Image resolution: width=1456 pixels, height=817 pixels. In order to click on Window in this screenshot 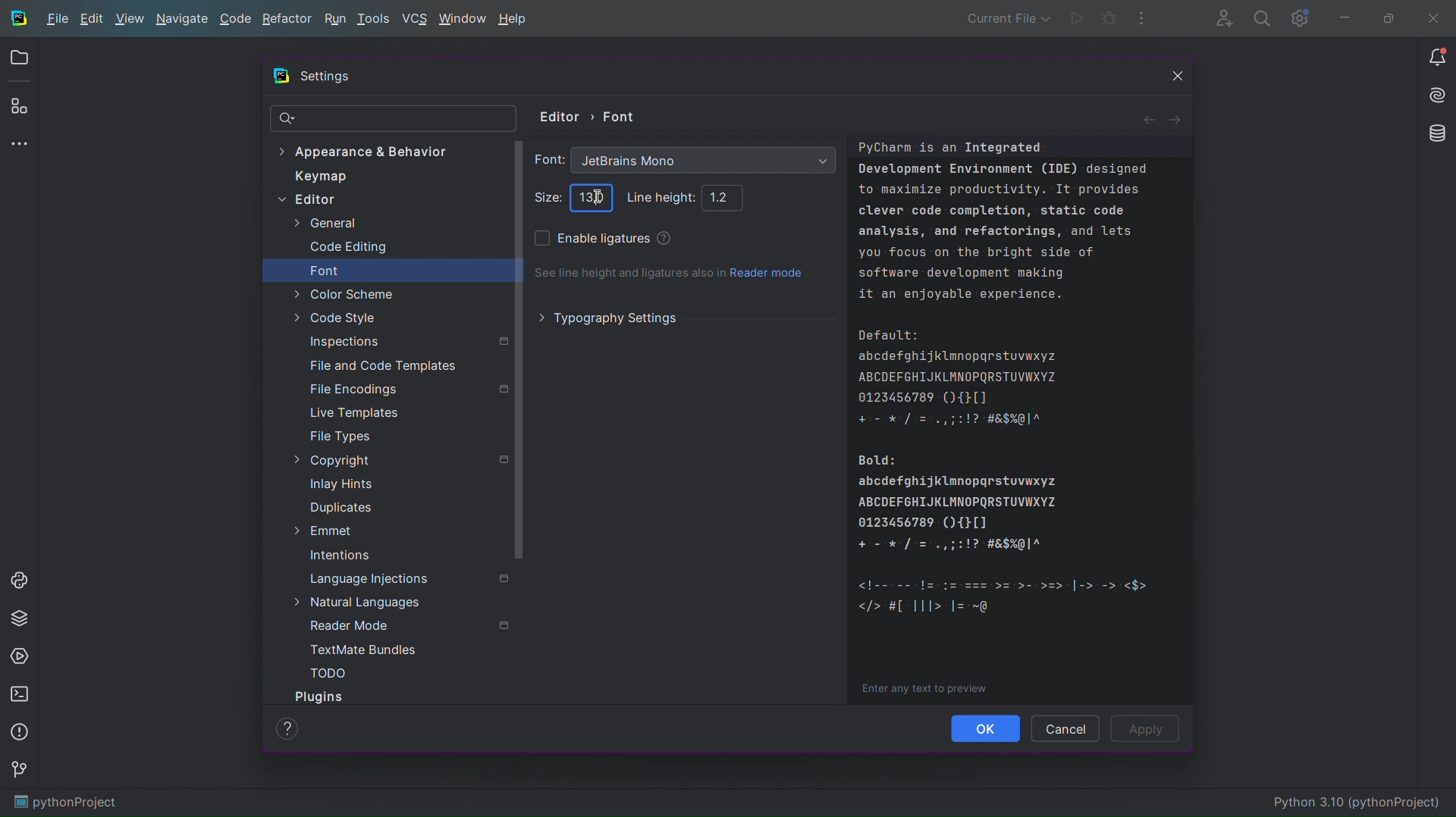, I will do `click(462, 20)`.